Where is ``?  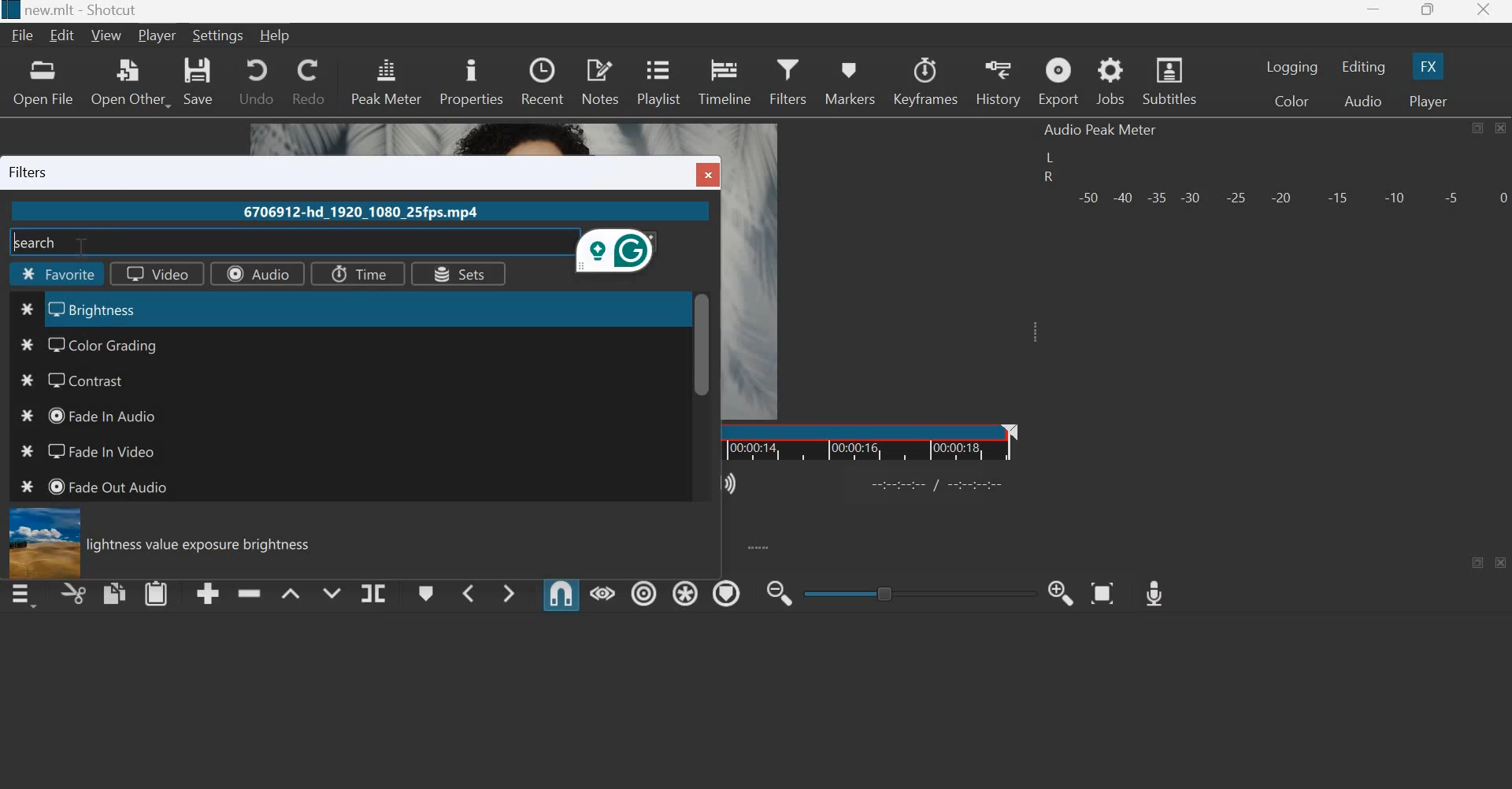
 is located at coordinates (28, 310).